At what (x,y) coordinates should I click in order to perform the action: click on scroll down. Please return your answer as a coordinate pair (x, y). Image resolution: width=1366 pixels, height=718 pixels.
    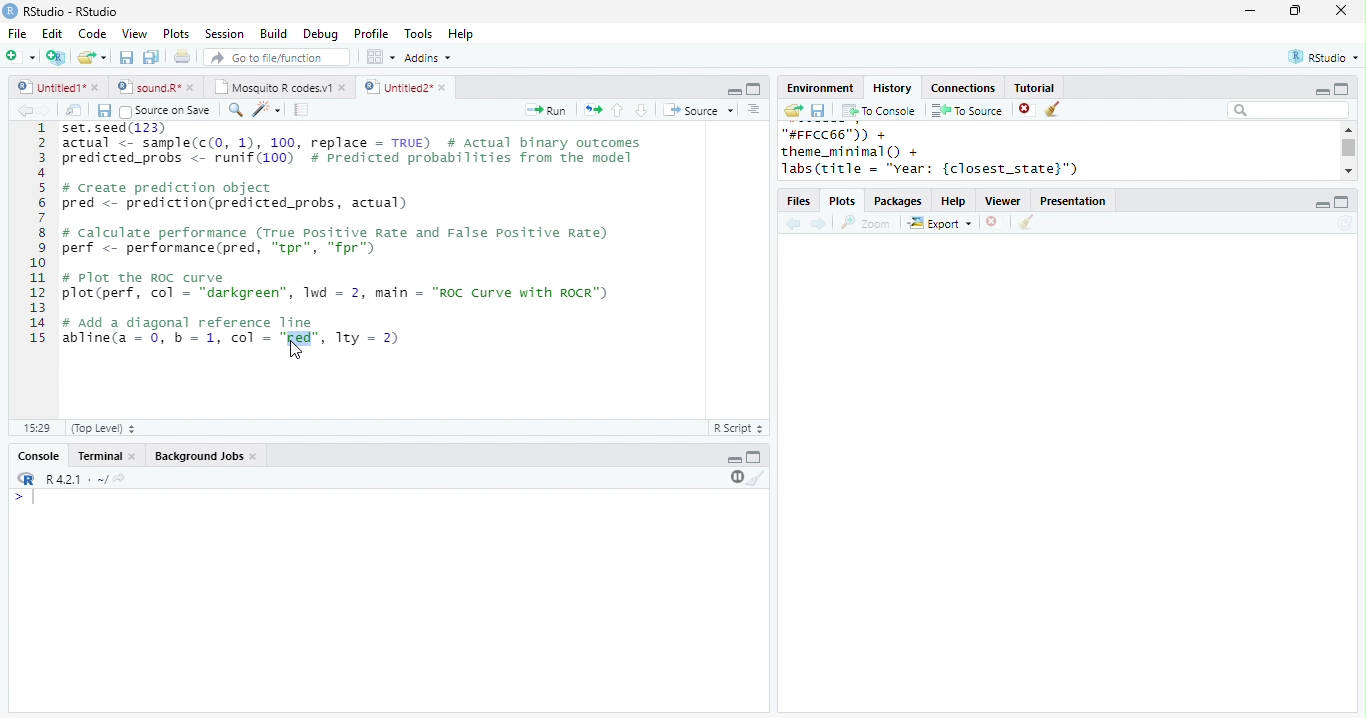
    Looking at the image, I should click on (1348, 170).